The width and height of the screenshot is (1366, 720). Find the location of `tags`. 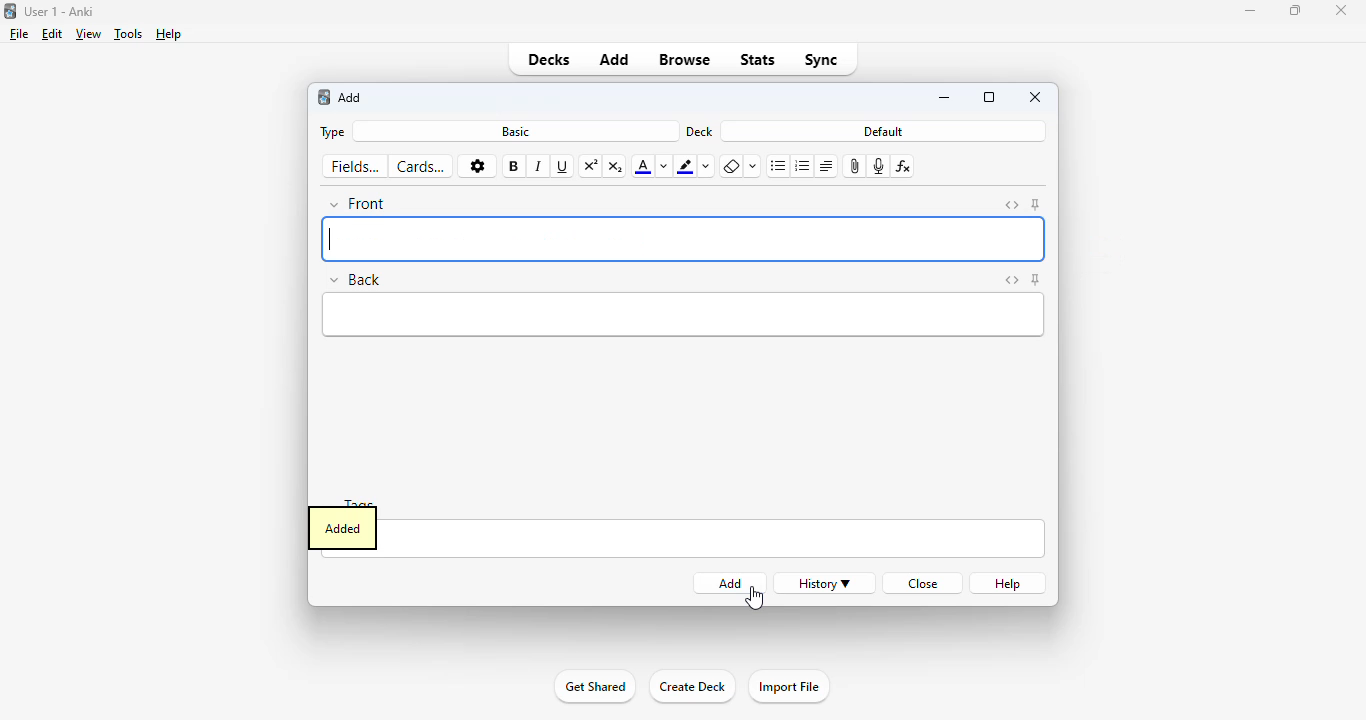

tags is located at coordinates (371, 500).